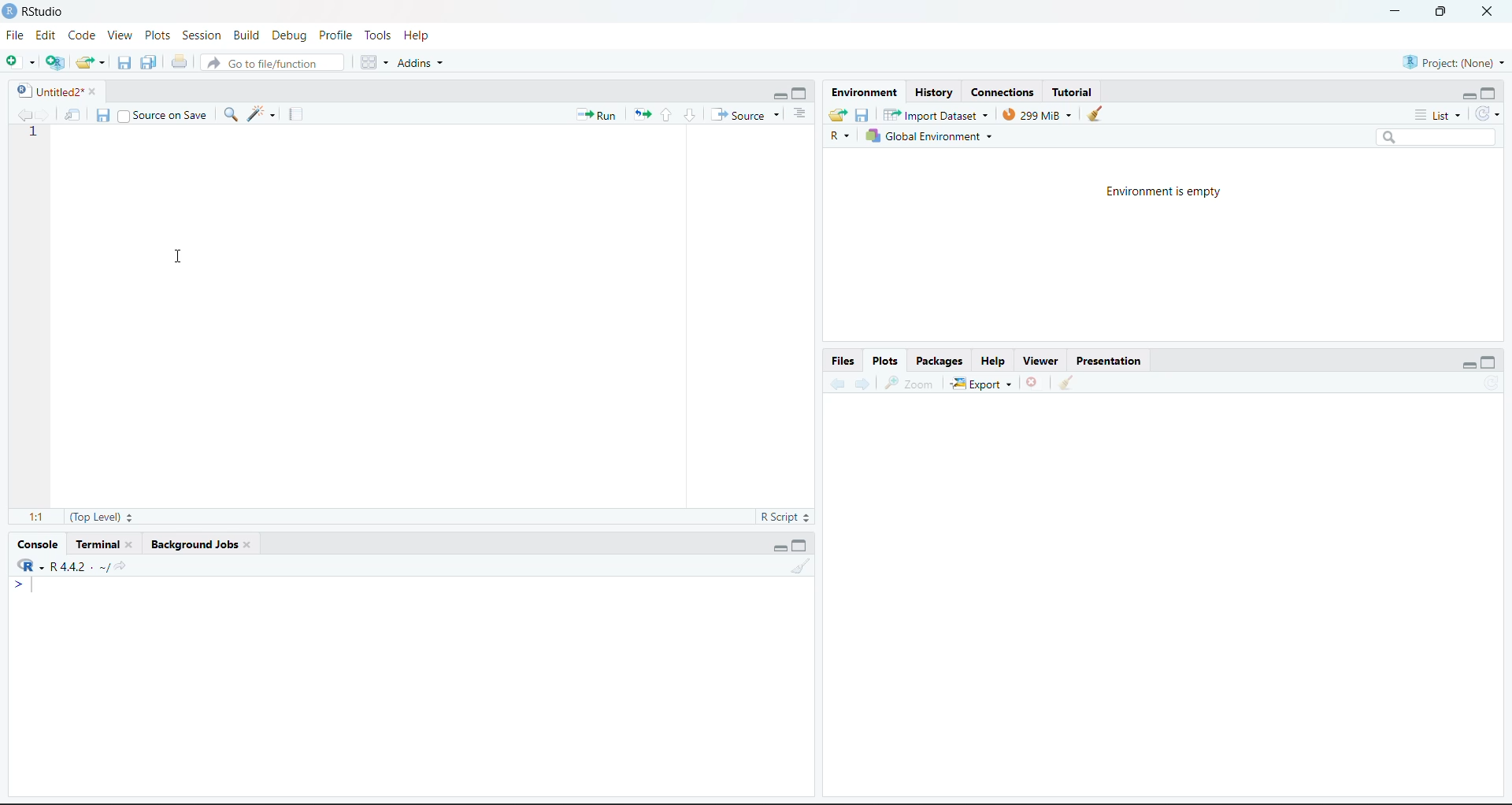  I want to click on maximize, so click(1491, 362).